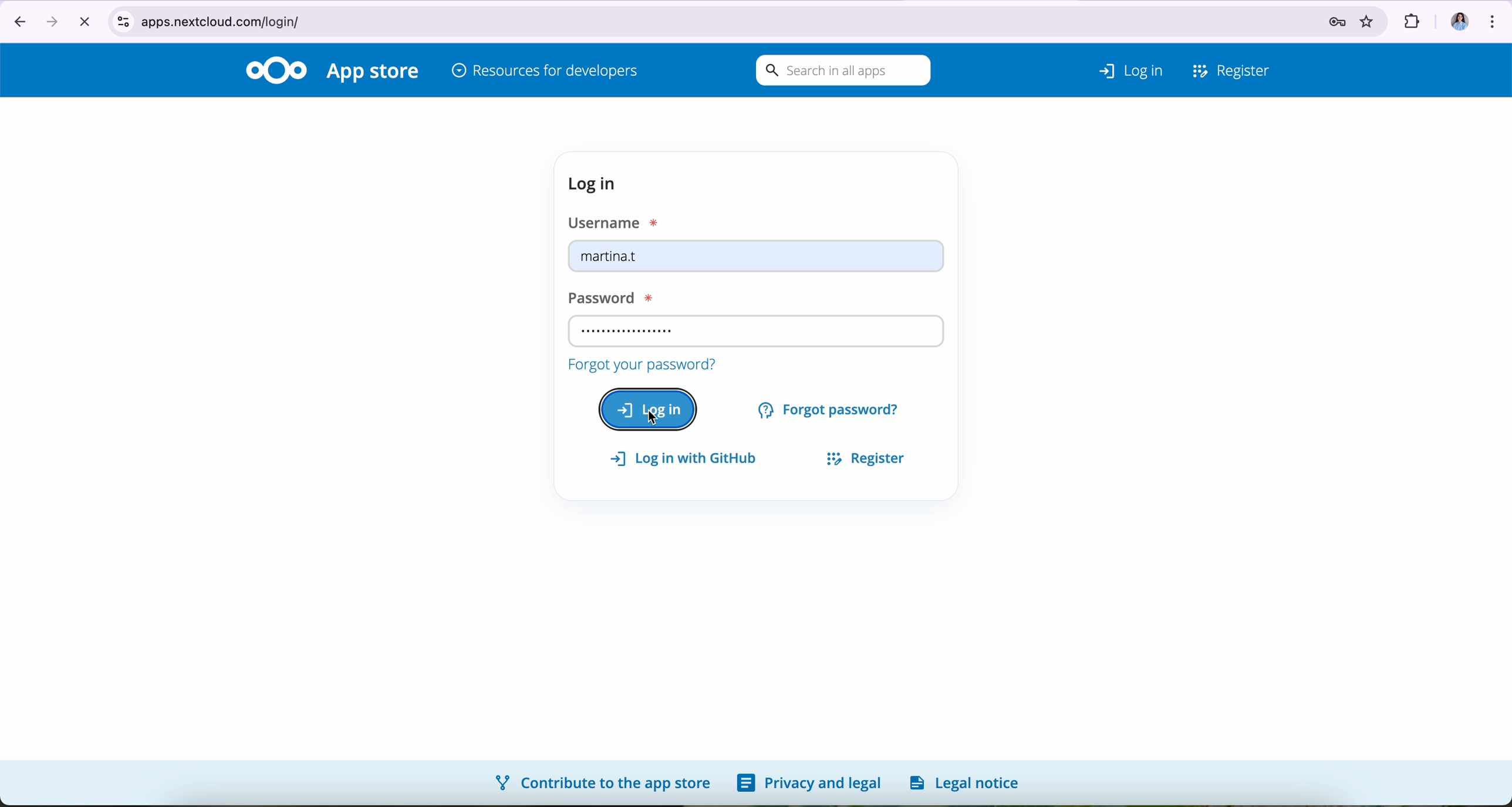 This screenshot has width=1512, height=807. What do you see at coordinates (689, 459) in the screenshot?
I see `log in with GitHub` at bounding box center [689, 459].